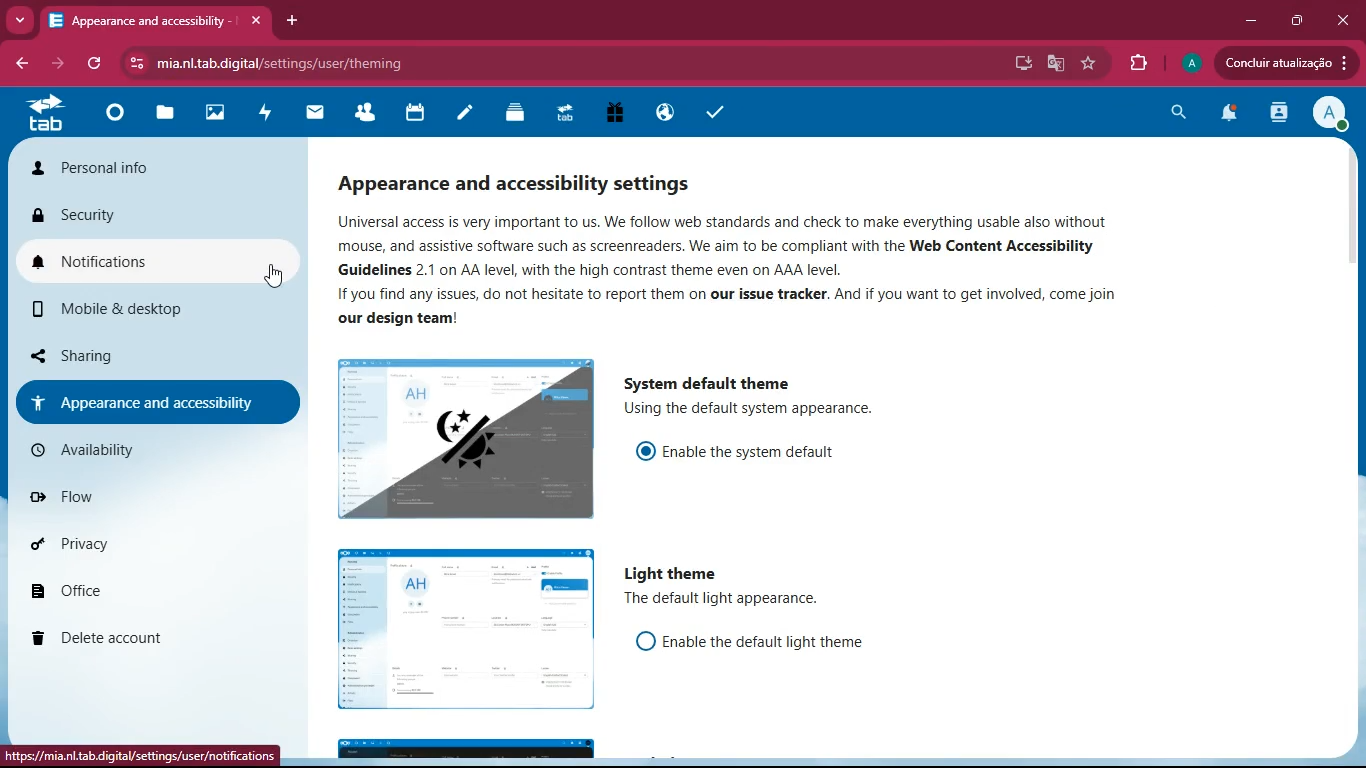 This screenshot has width=1366, height=768. Describe the element at coordinates (274, 279) in the screenshot. I see `cursor` at that location.